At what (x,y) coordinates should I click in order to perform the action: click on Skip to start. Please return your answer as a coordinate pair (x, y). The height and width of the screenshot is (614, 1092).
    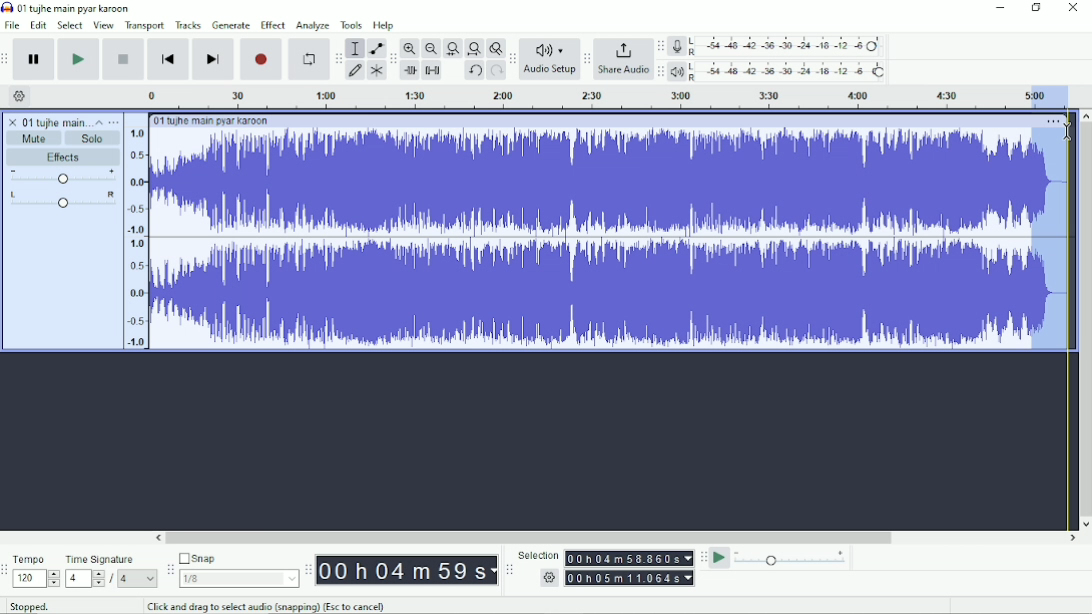
    Looking at the image, I should click on (168, 60).